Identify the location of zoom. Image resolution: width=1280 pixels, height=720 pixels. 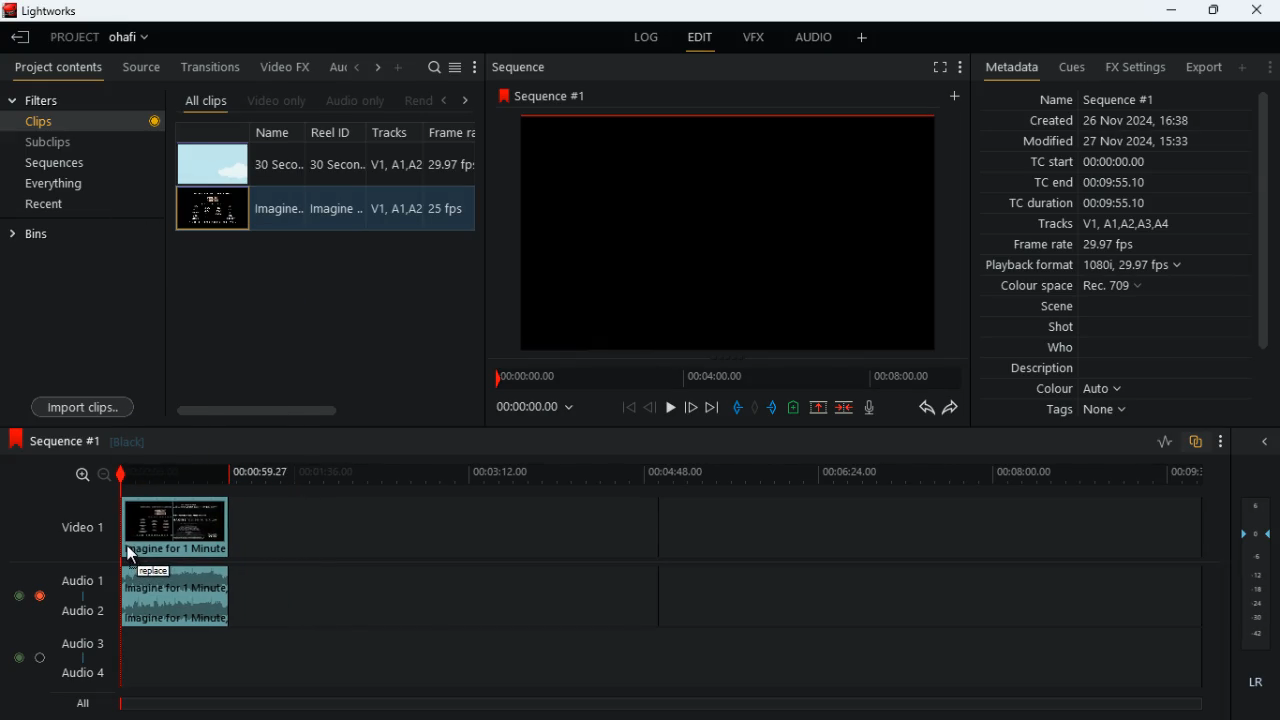
(92, 474).